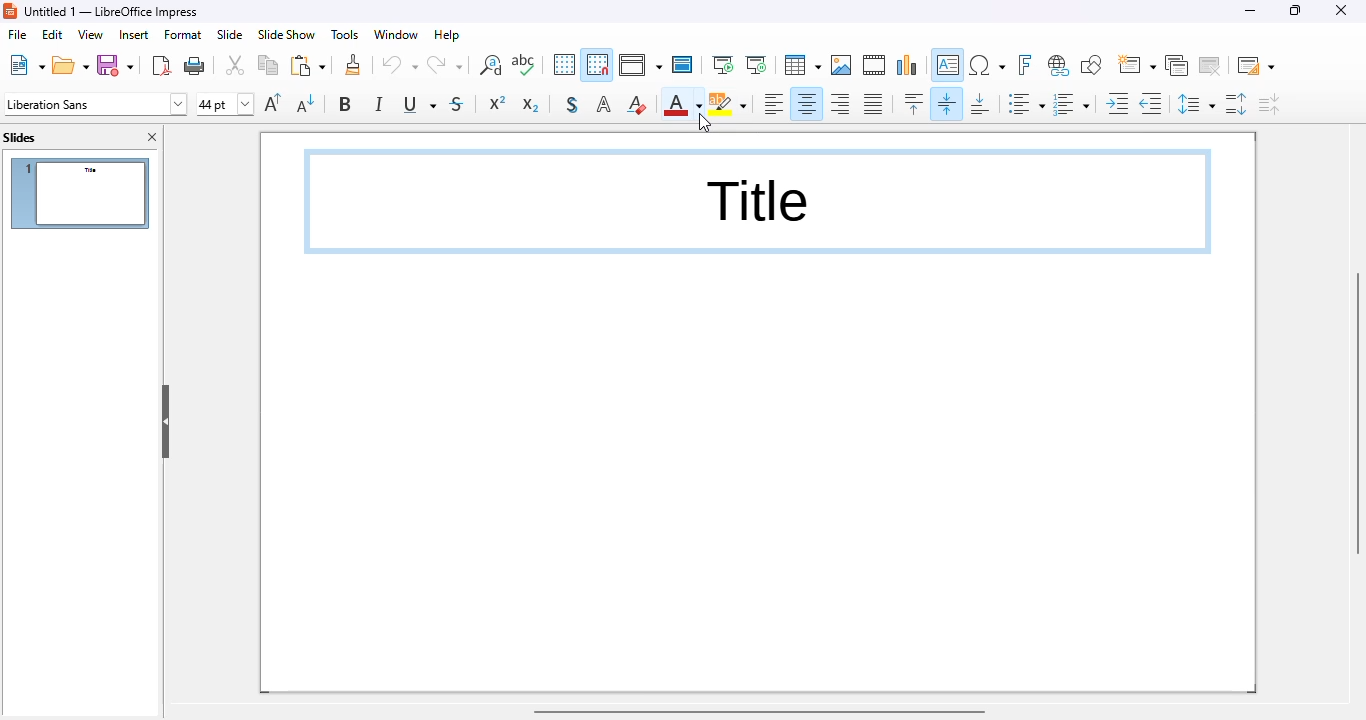 This screenshot has width=1366, height=720. What do you see at coordinates (573, 105) in the screenshot?
I see `toggle shadow` at bounding box center [573, 105].